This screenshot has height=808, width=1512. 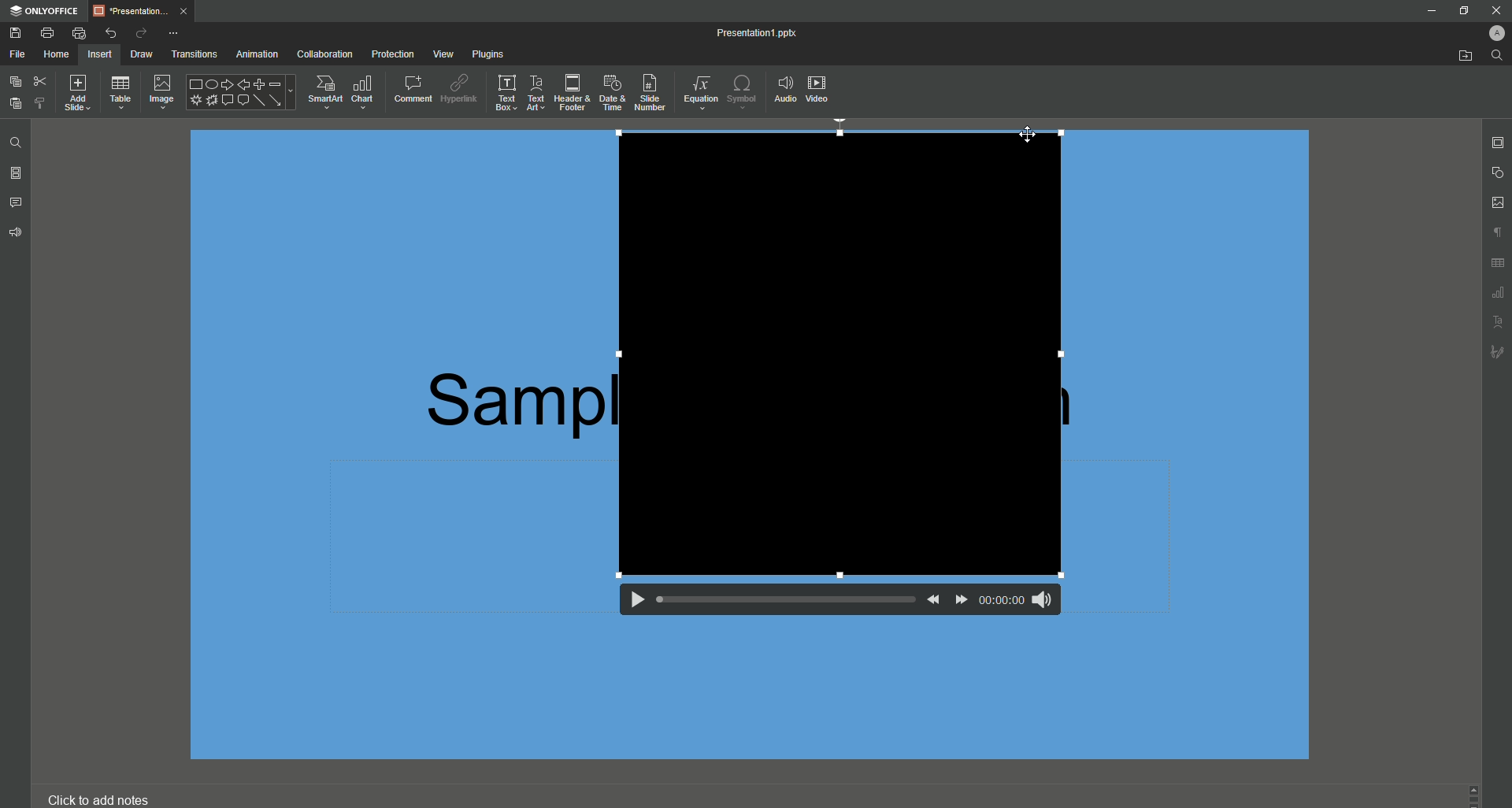 I want to click on Protection, so click(x=393, y=54).